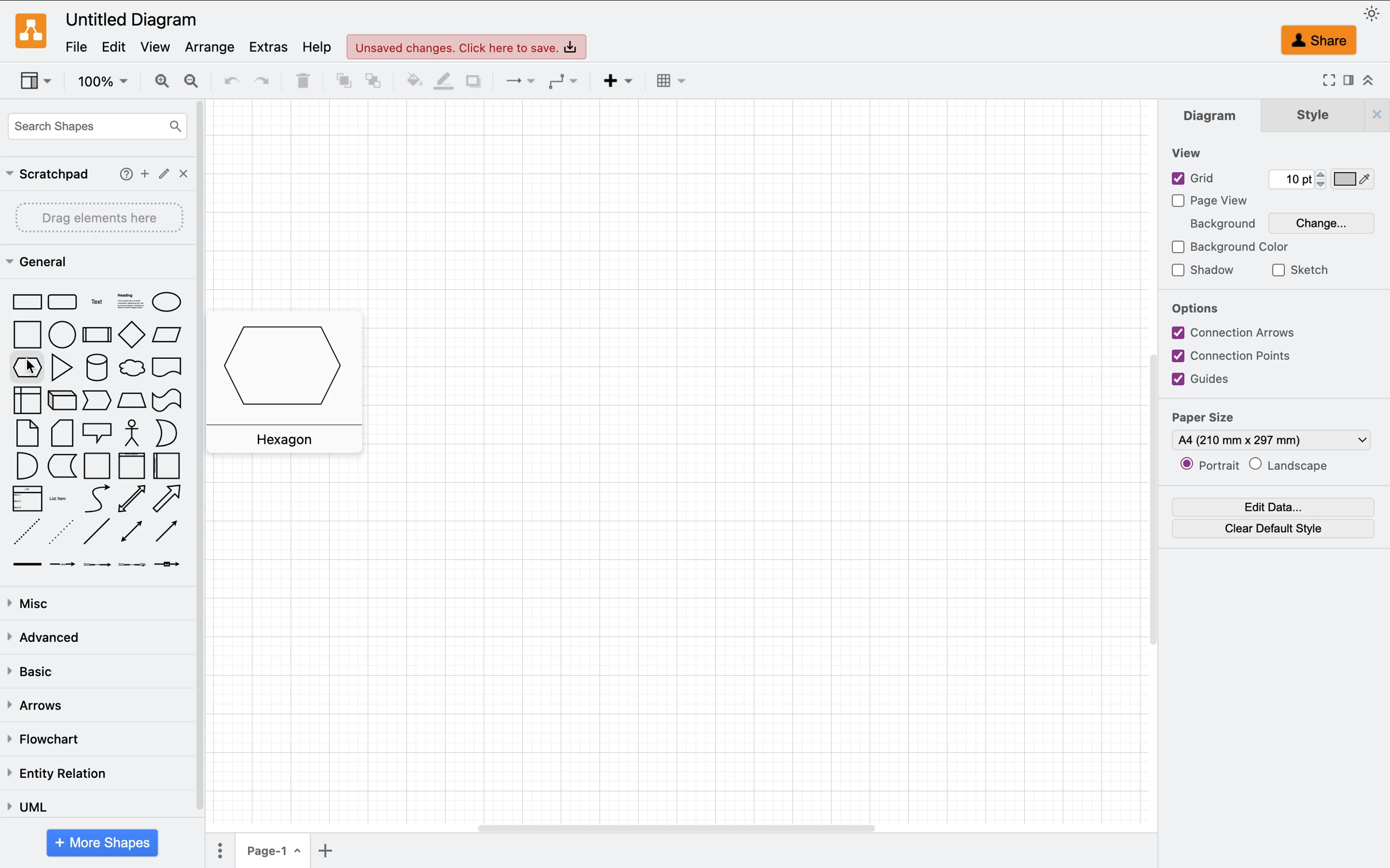  Describe the element at coordinates (1301, 270) in the screenshot. I see `sketch` at that location.